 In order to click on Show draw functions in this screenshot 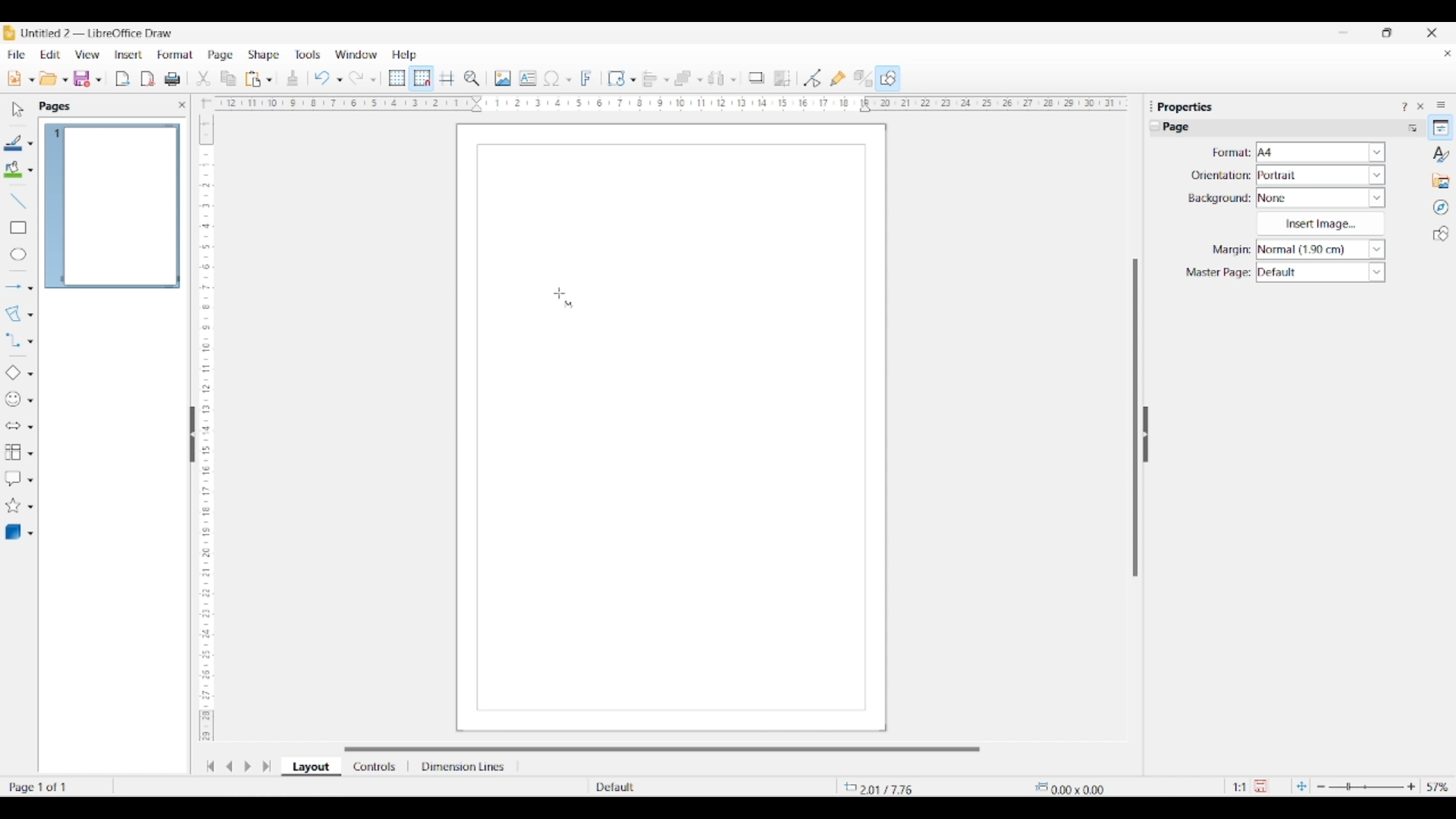, I will do `click(888, 77)`.